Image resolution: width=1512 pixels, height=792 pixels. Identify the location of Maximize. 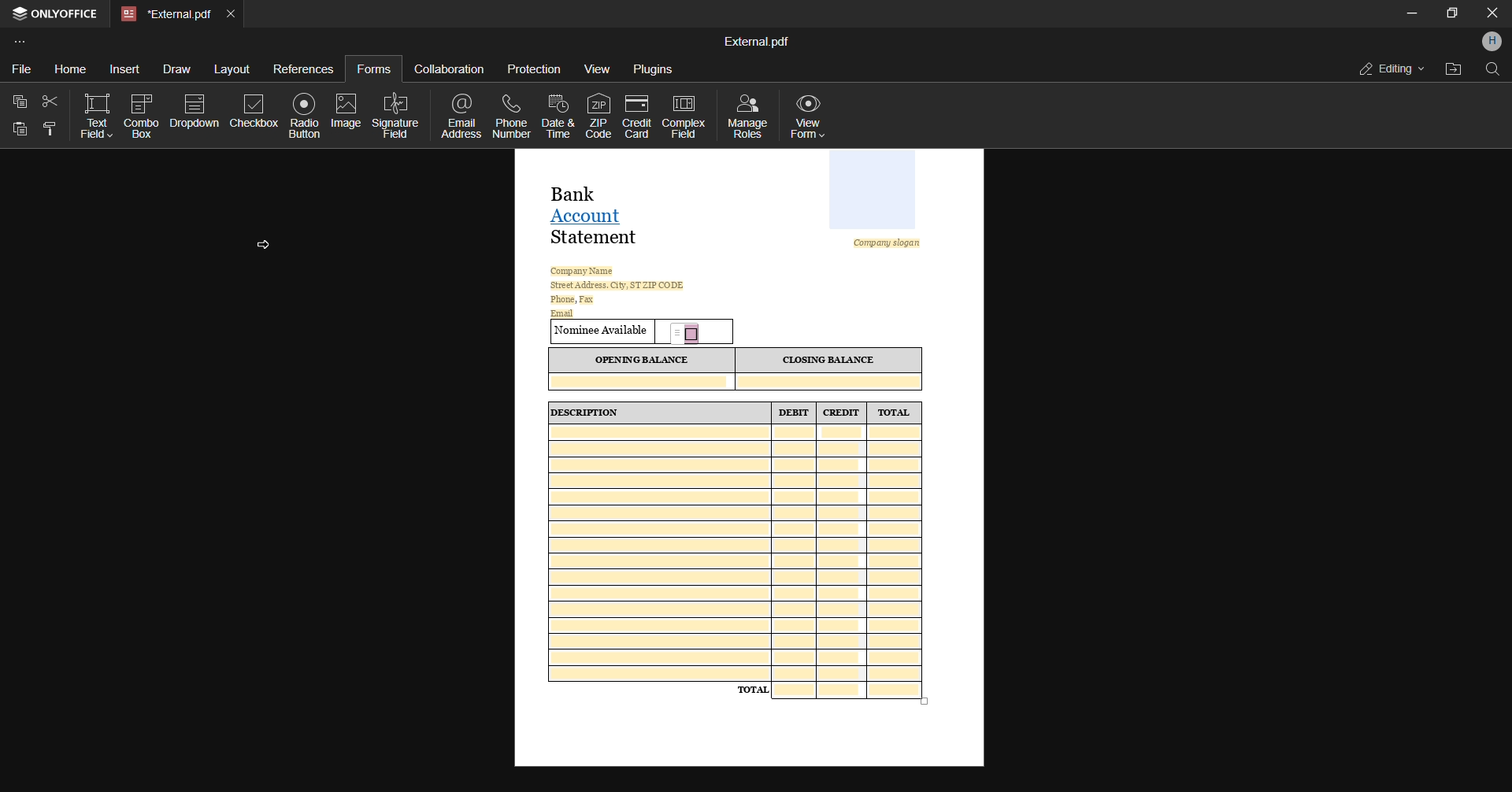
(1452, 14).